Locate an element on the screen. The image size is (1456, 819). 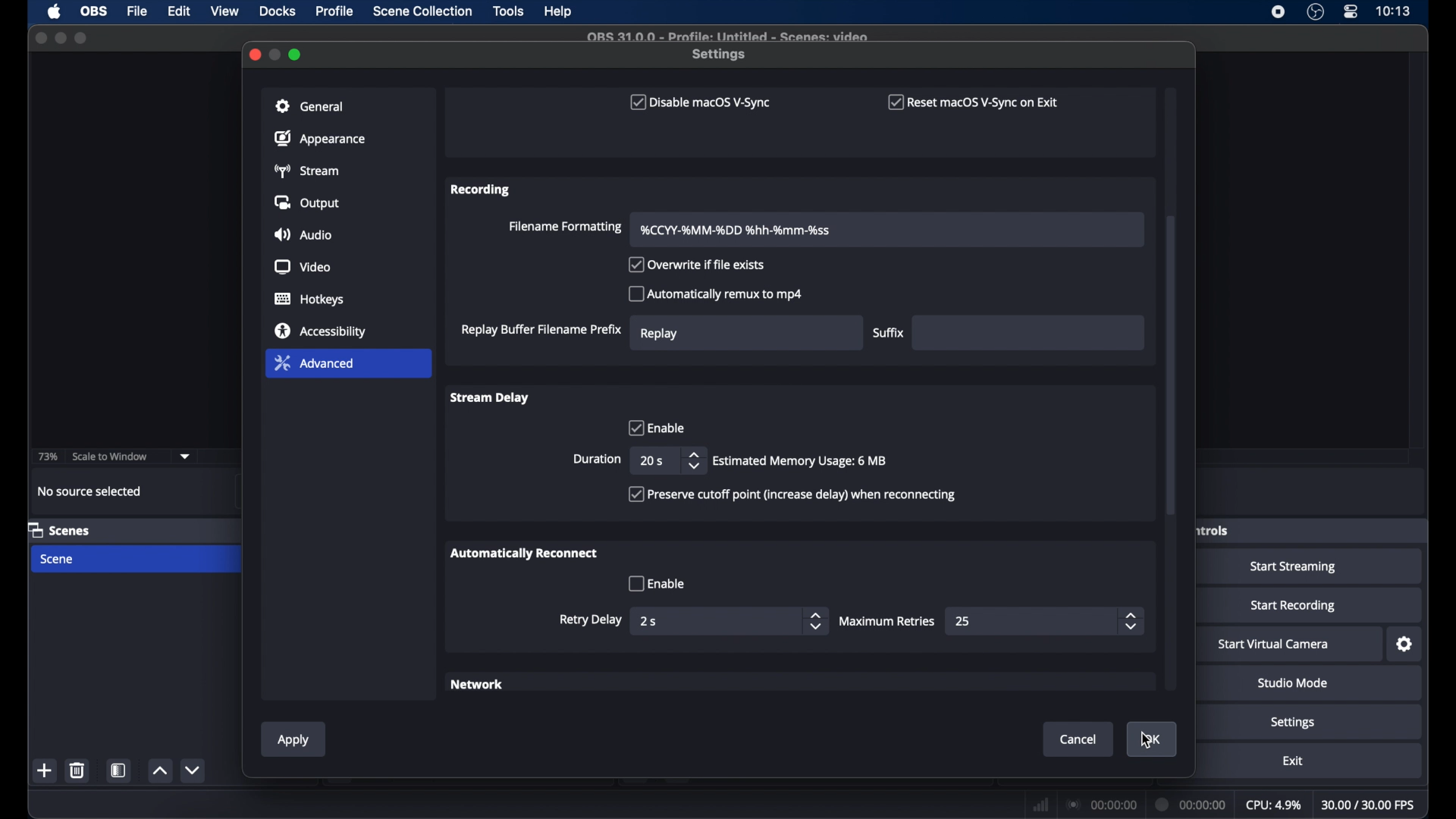
settings is located at coordinates (1294, 723).